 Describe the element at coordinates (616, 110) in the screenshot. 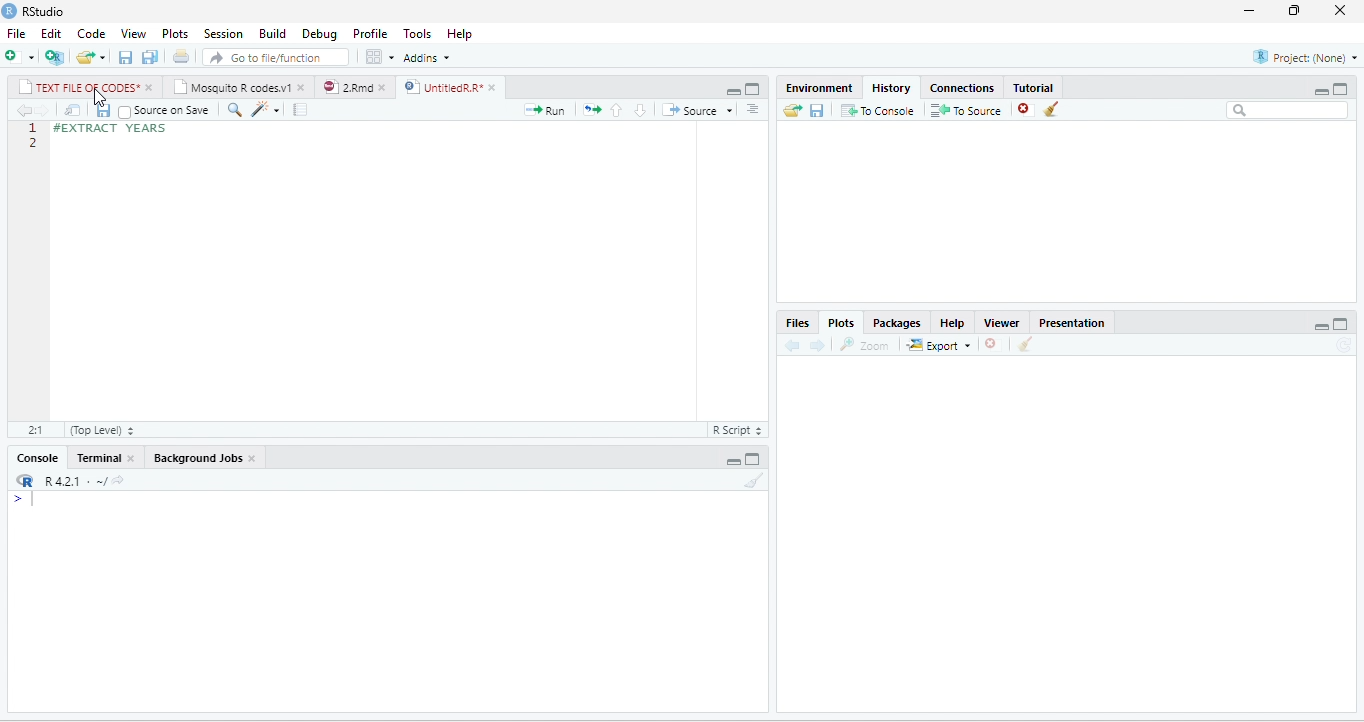

I see `up` at that location.